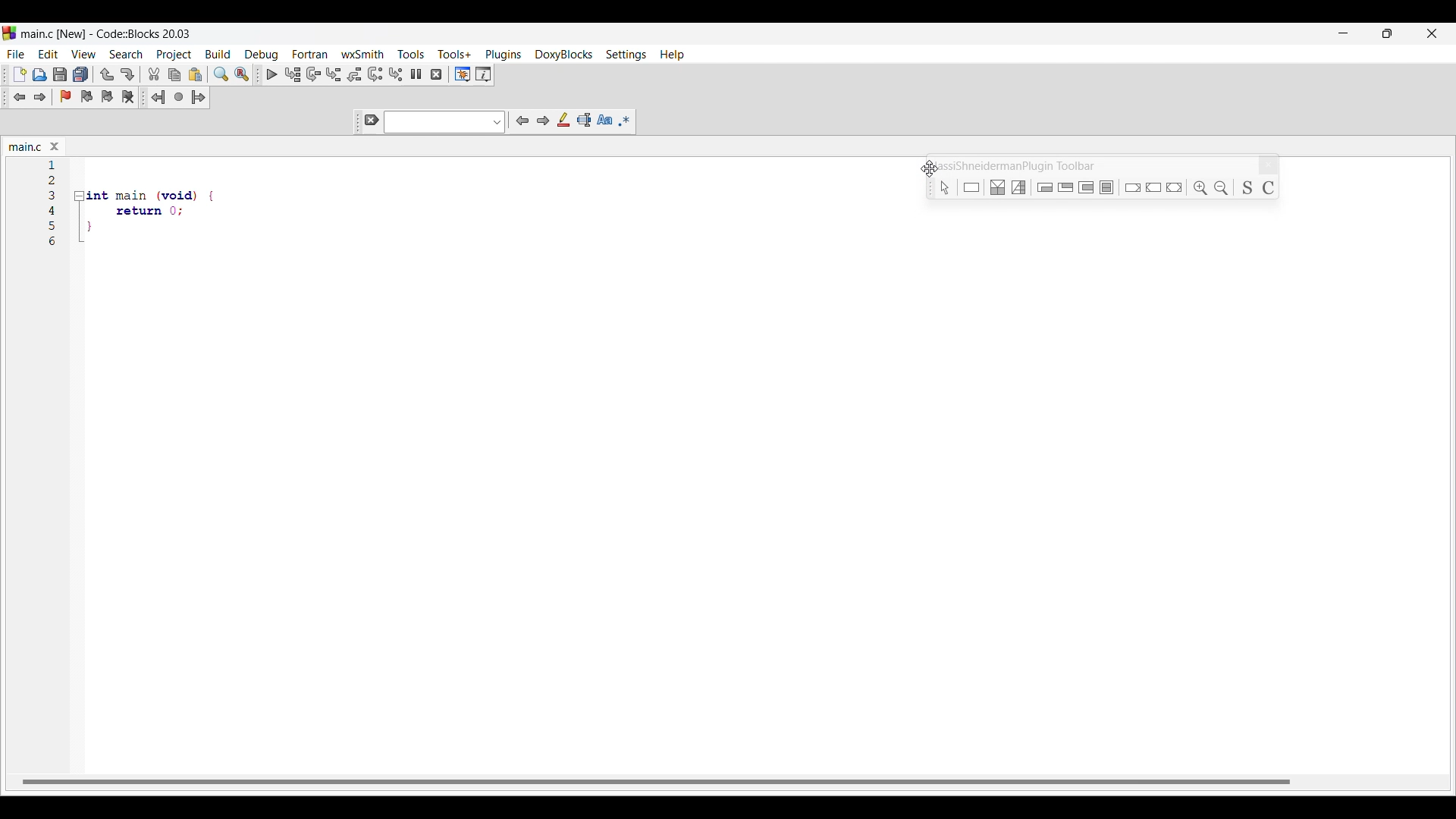 The image size is (1456, 819). I want to click on , so click(148, 191).